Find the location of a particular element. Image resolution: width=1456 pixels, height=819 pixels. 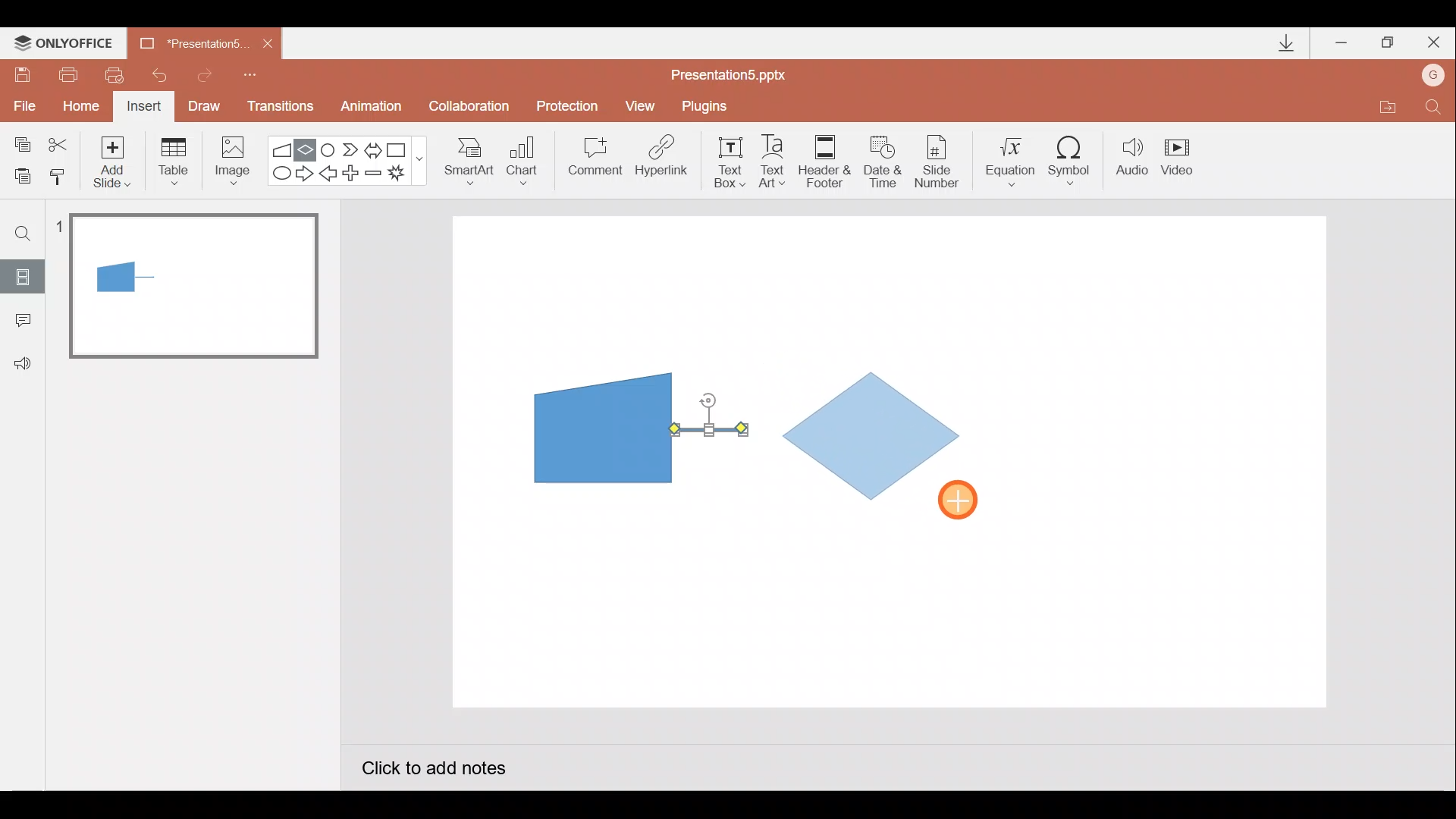

Minus is located at coordinates (375, 176).